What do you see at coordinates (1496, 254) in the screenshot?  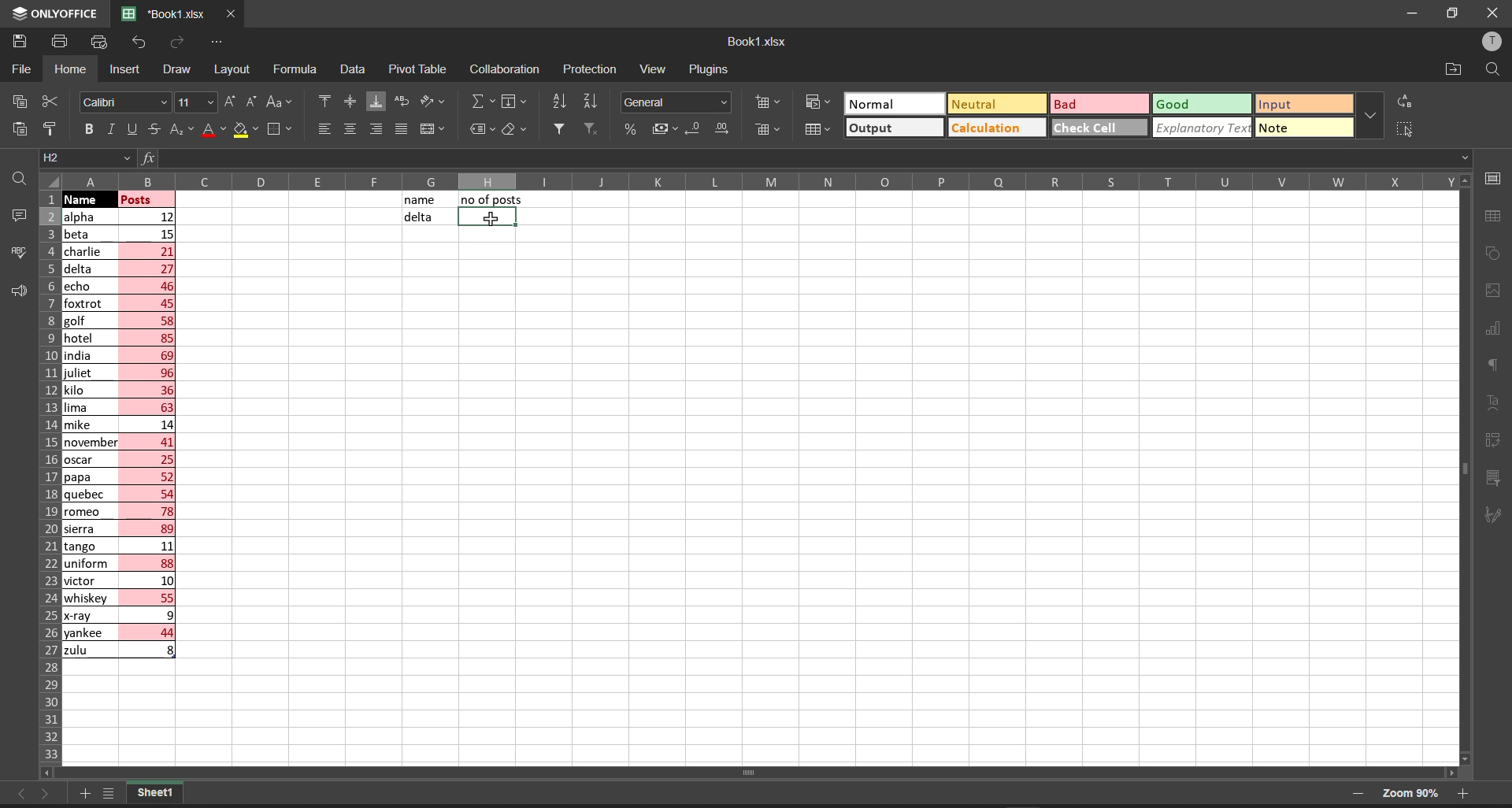 I see `shape settings` at bounding box center [1496, 254].